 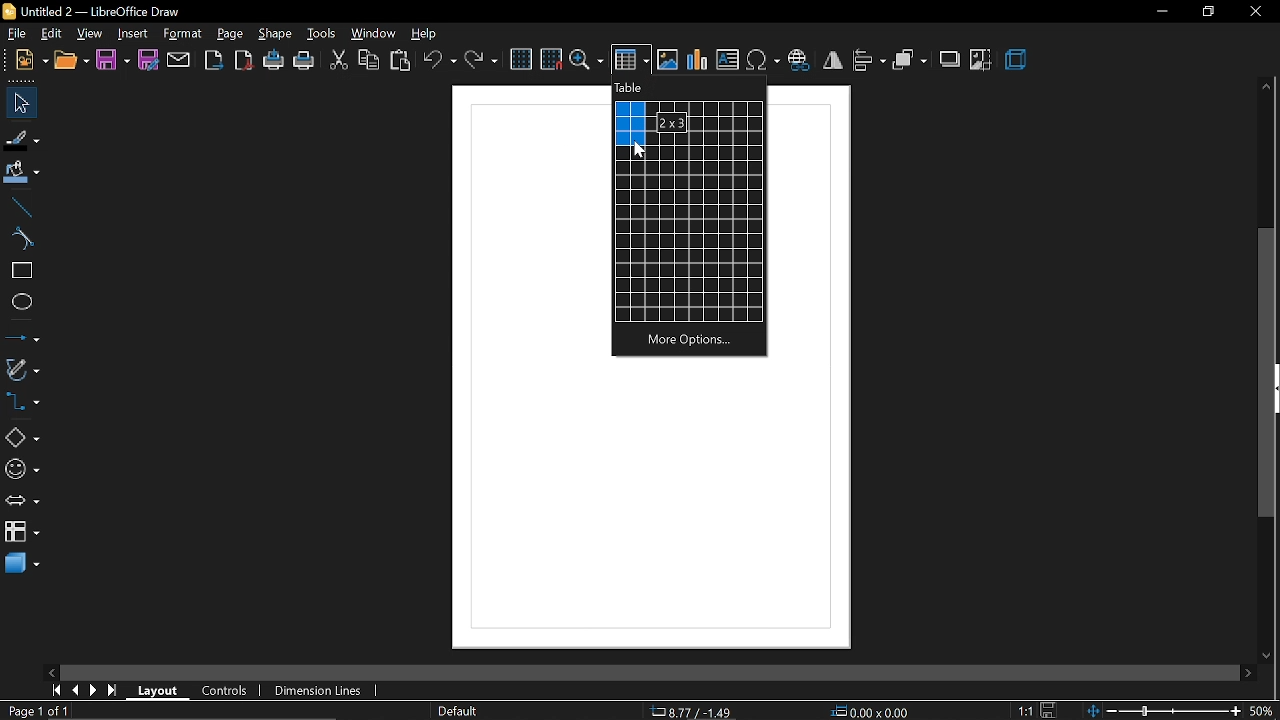 I want to click on previous page, so click(x=77, y=690).